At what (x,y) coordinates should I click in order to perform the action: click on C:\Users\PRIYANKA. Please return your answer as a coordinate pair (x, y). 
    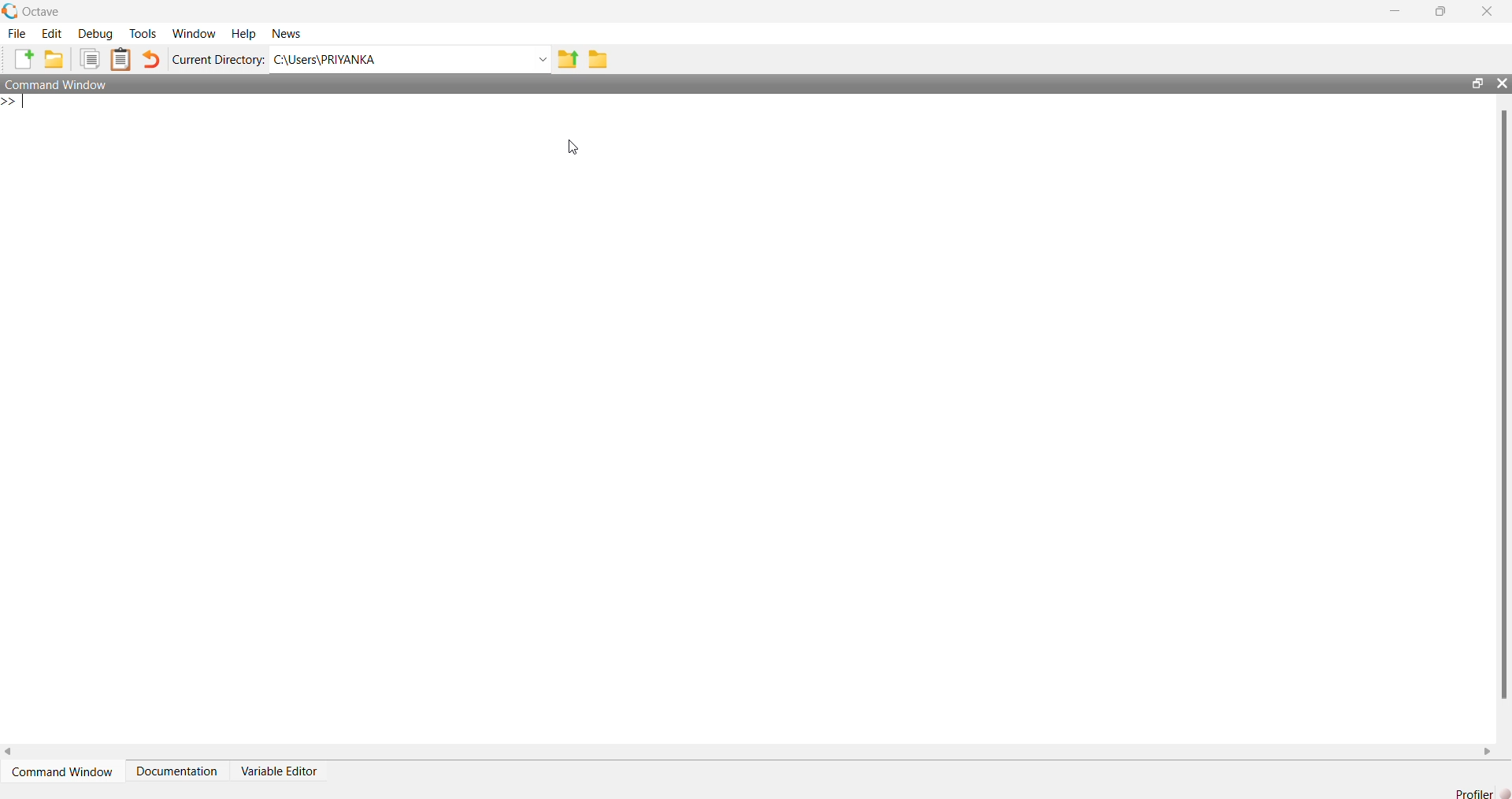
    Looking at the image, I should click on (399, 60).